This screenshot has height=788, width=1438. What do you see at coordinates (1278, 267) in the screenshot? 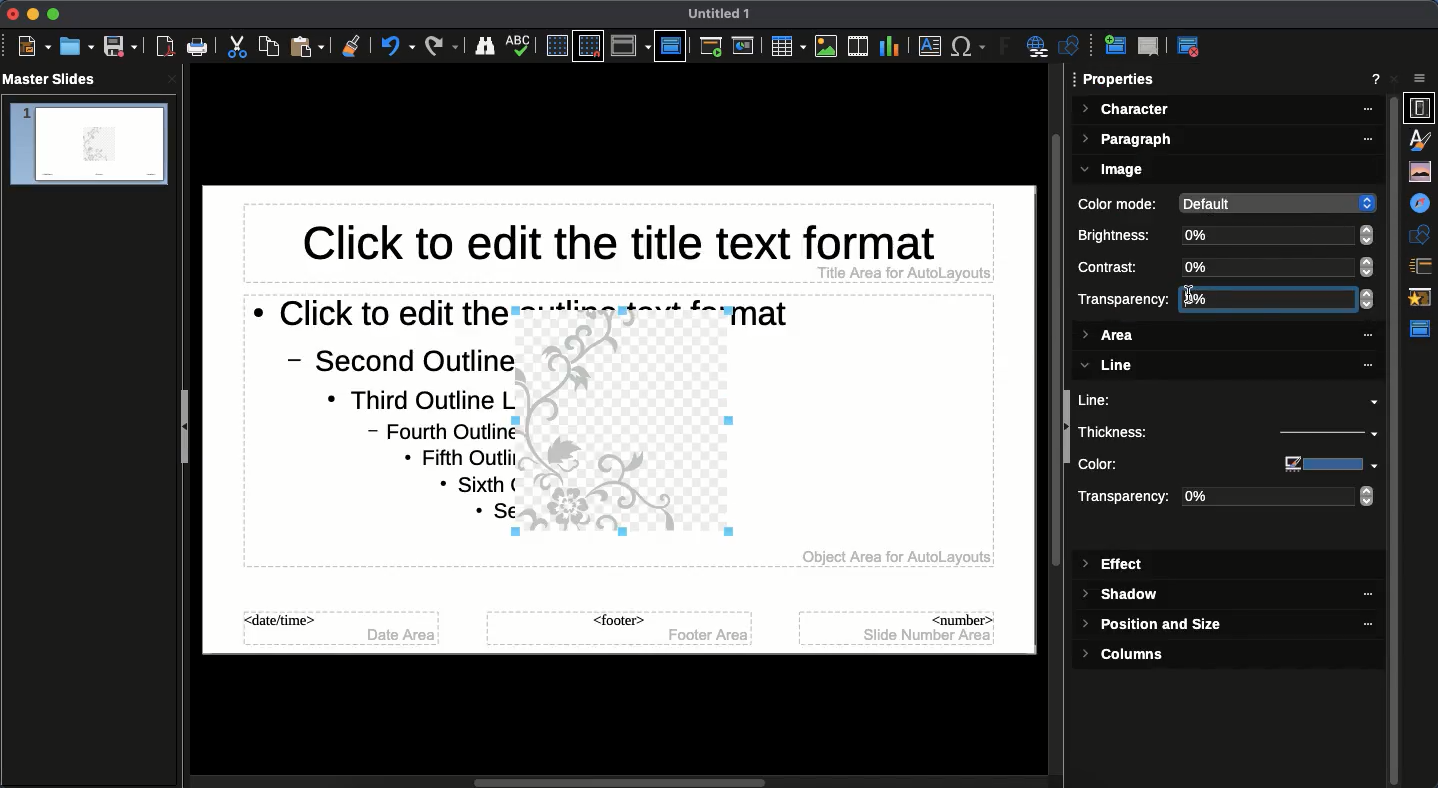
I see `0%` at bounding box center [1278, 267].